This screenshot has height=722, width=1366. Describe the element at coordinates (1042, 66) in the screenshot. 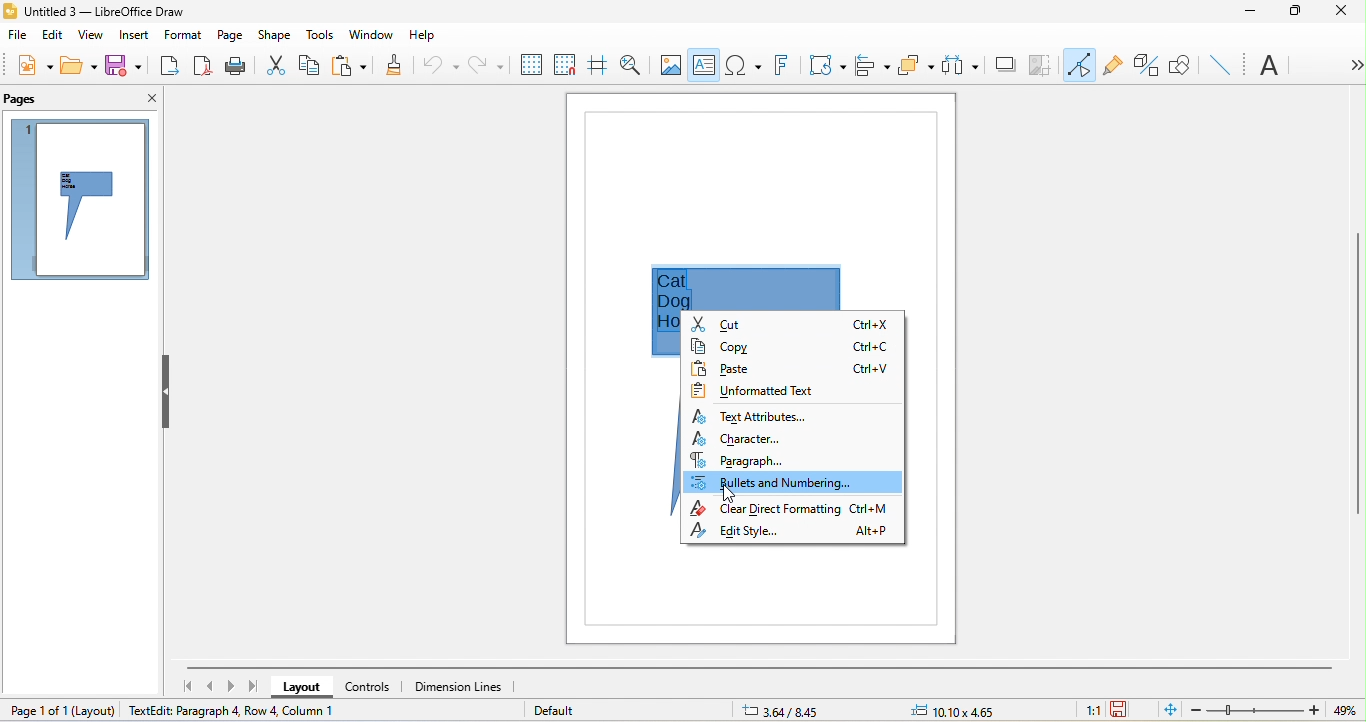

I see `crop image` at that location.